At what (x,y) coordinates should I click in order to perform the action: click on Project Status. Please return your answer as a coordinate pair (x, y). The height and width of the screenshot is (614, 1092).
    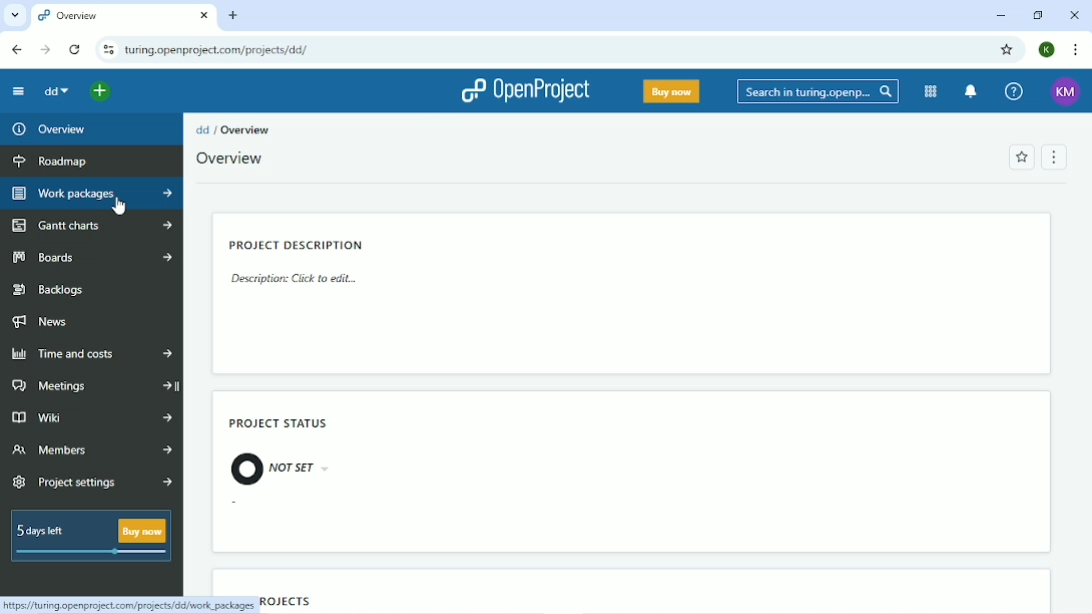
    Looking at the image, I should click on (276, 421).